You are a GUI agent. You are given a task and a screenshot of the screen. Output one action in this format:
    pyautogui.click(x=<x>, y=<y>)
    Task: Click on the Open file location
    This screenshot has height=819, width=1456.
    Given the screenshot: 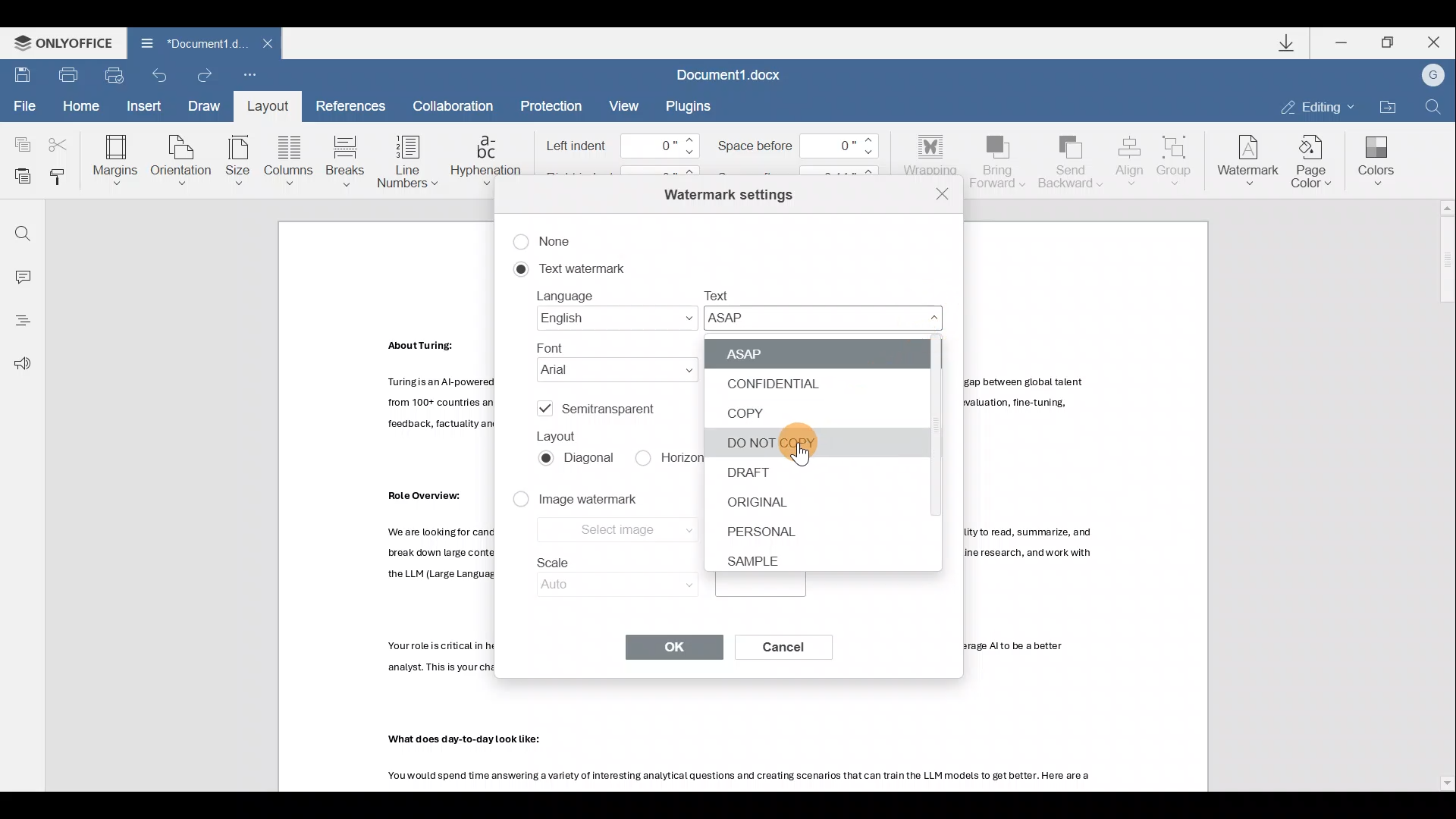 What is the action you would take?
    pyautogui.click(x=1385, y=102)
    